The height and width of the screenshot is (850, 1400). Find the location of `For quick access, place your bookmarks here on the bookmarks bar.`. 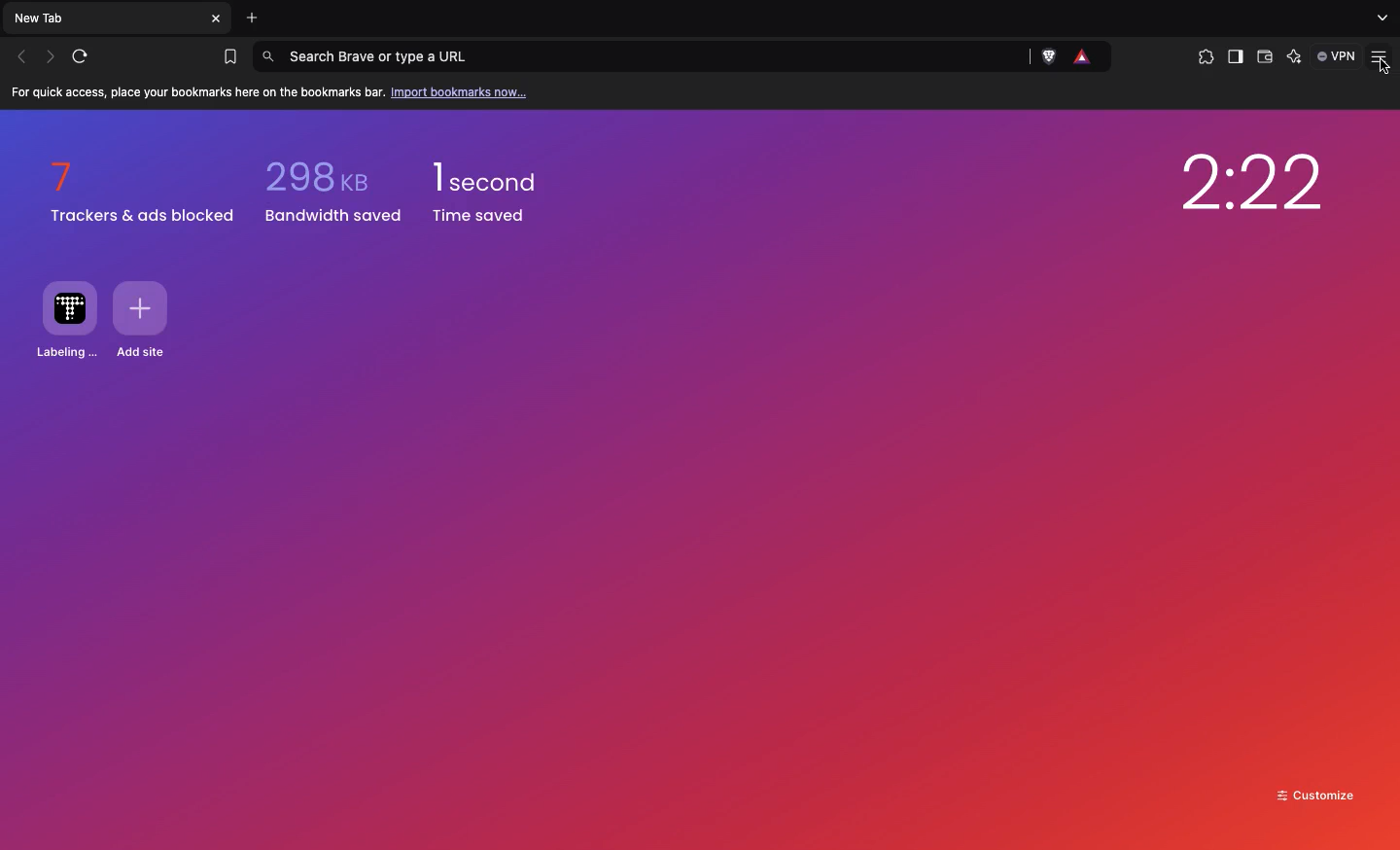

For quick access, place your bookmarks here on the bookmarks bar. is located at coordinates (194, 92).